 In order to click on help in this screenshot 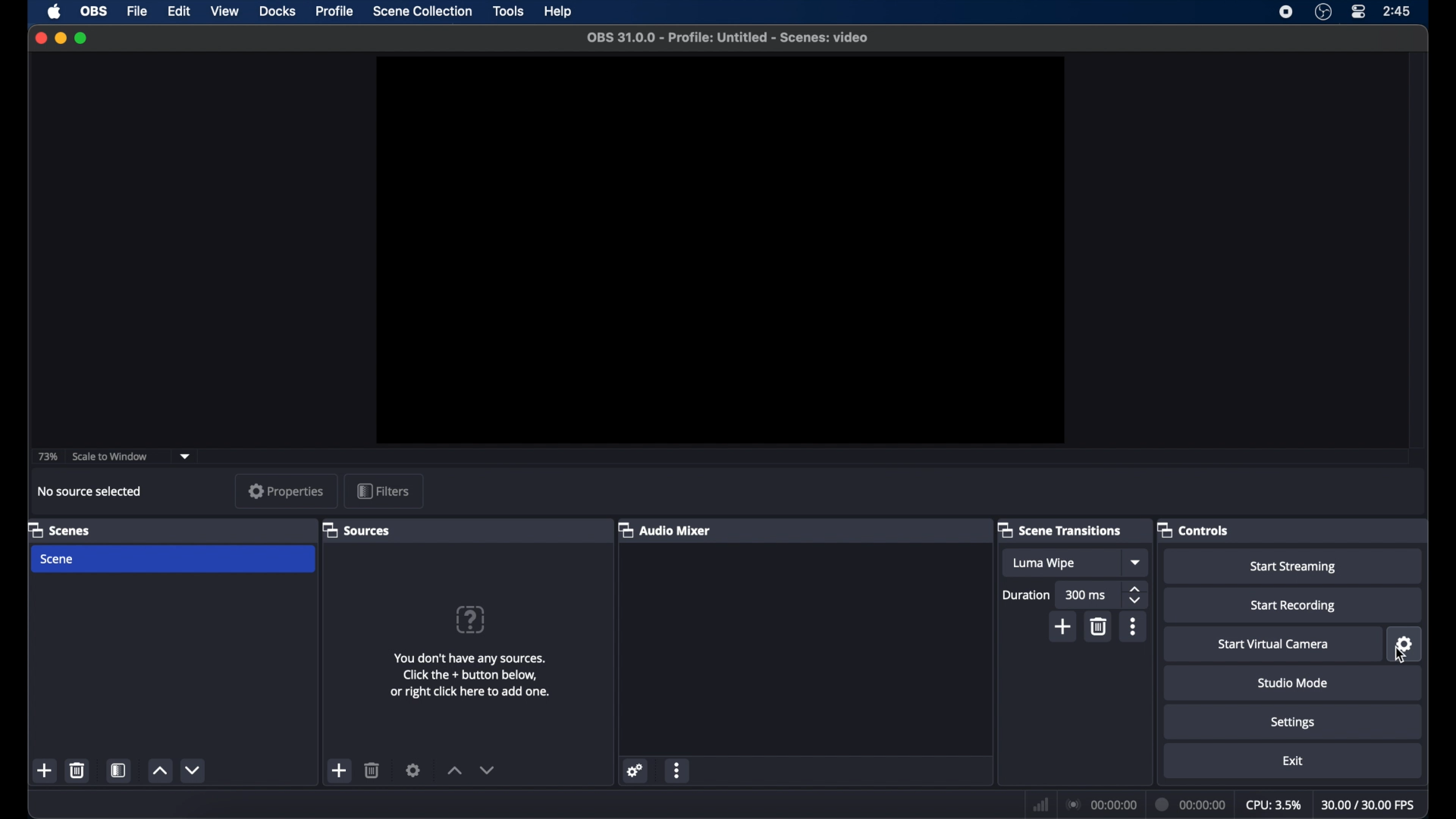, I will do `click(559, 11)`.